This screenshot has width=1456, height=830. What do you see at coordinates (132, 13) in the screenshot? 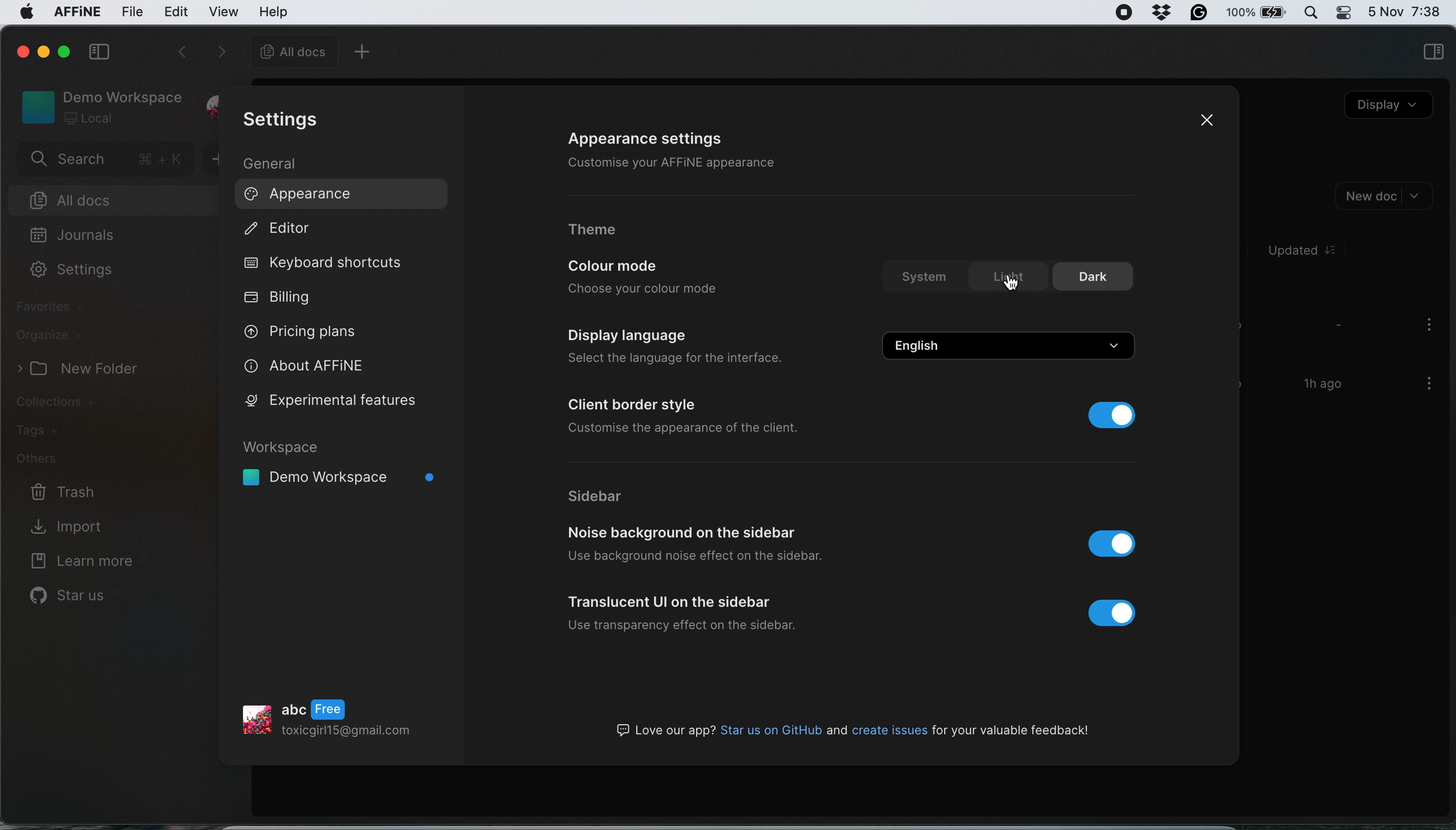
I see `file` at bounding box center [132, 13].